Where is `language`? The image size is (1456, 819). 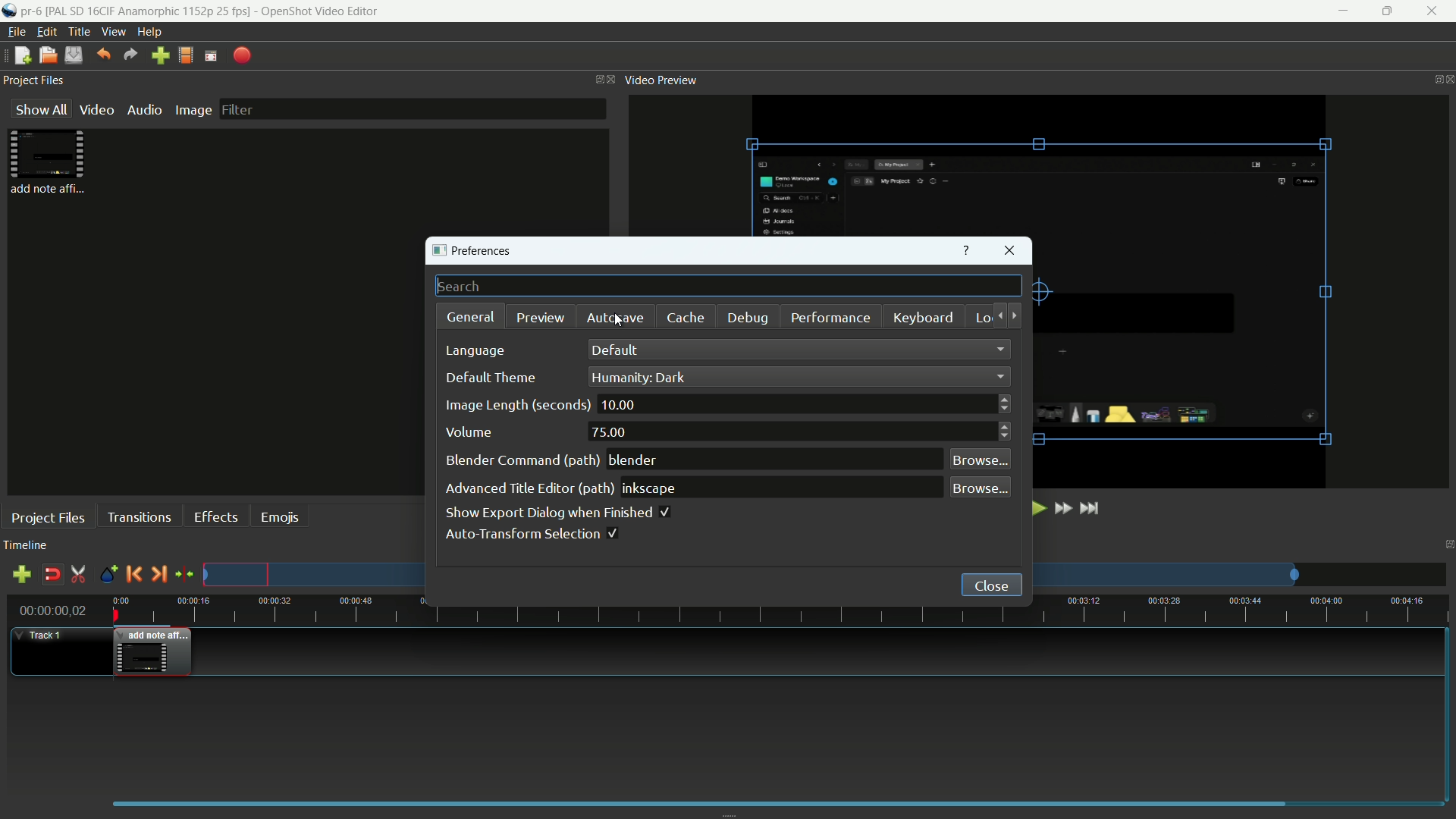 language is located at coordinates (475, 353).